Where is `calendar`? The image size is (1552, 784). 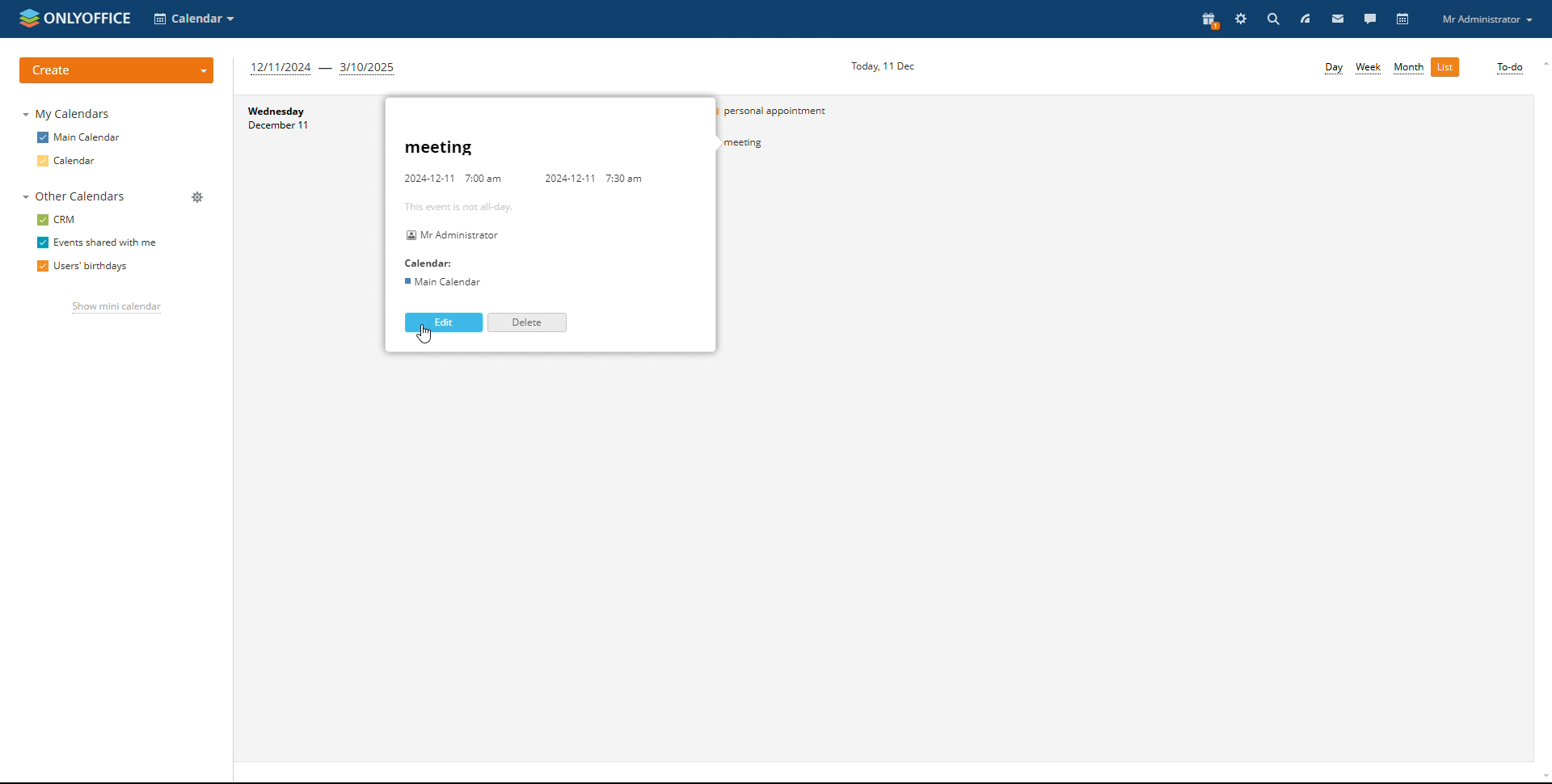 calendar is located at coordinates (1404, 19).